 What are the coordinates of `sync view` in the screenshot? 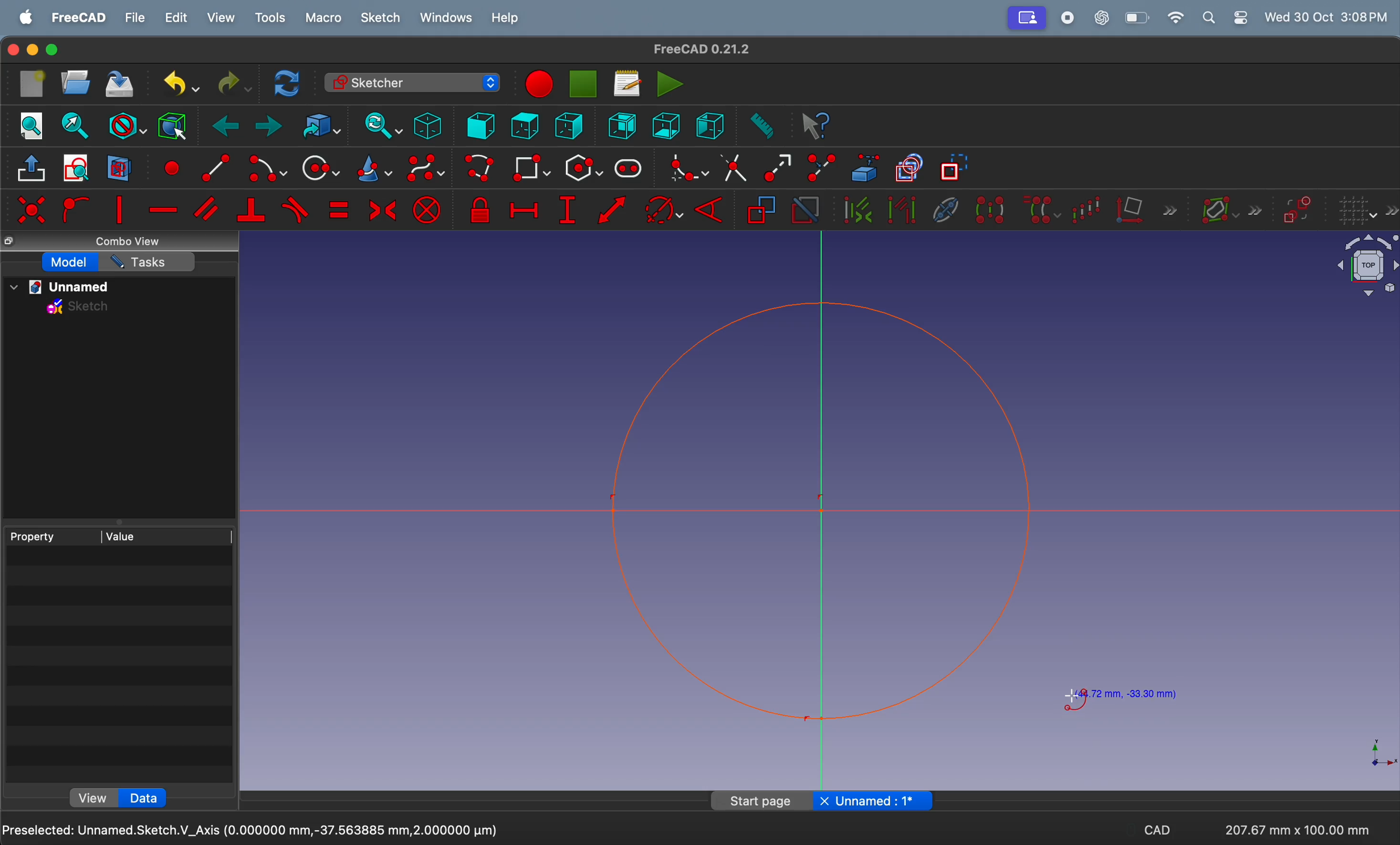 It's located at (378, 126).